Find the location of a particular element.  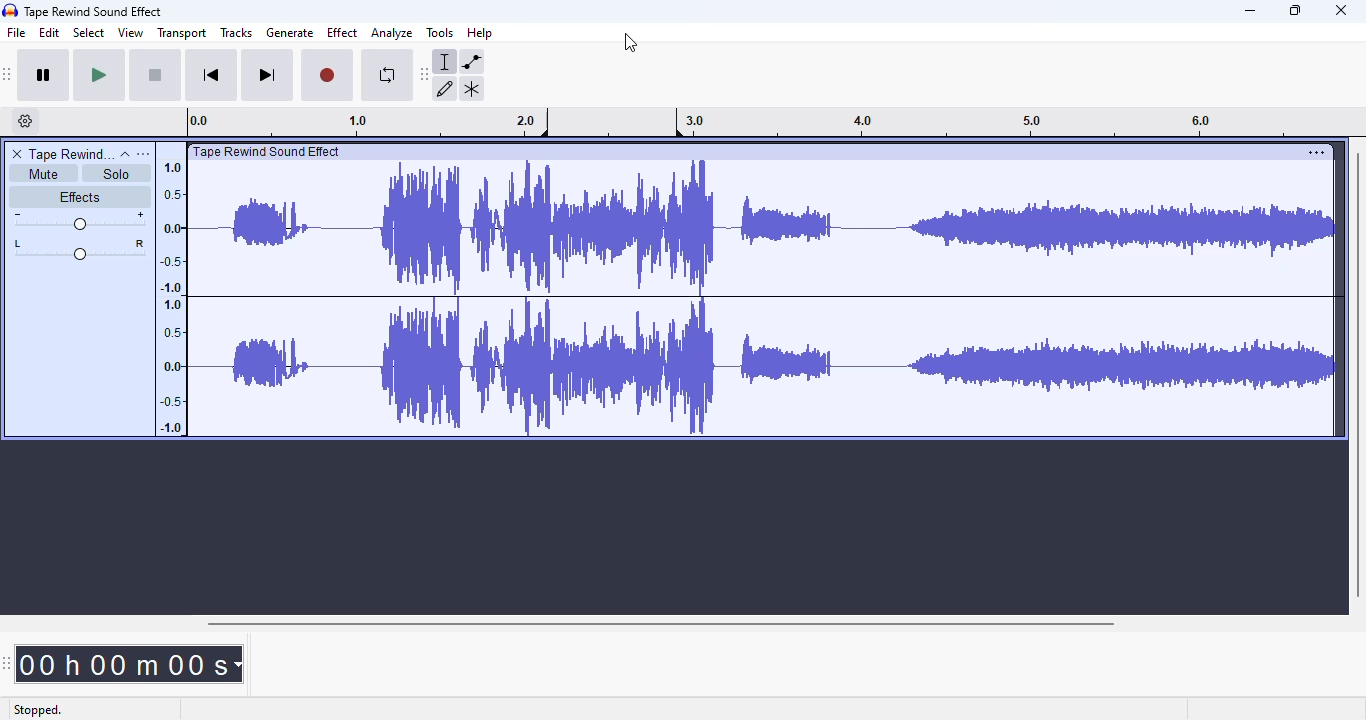

collapse is located at coordinates (125, 154).